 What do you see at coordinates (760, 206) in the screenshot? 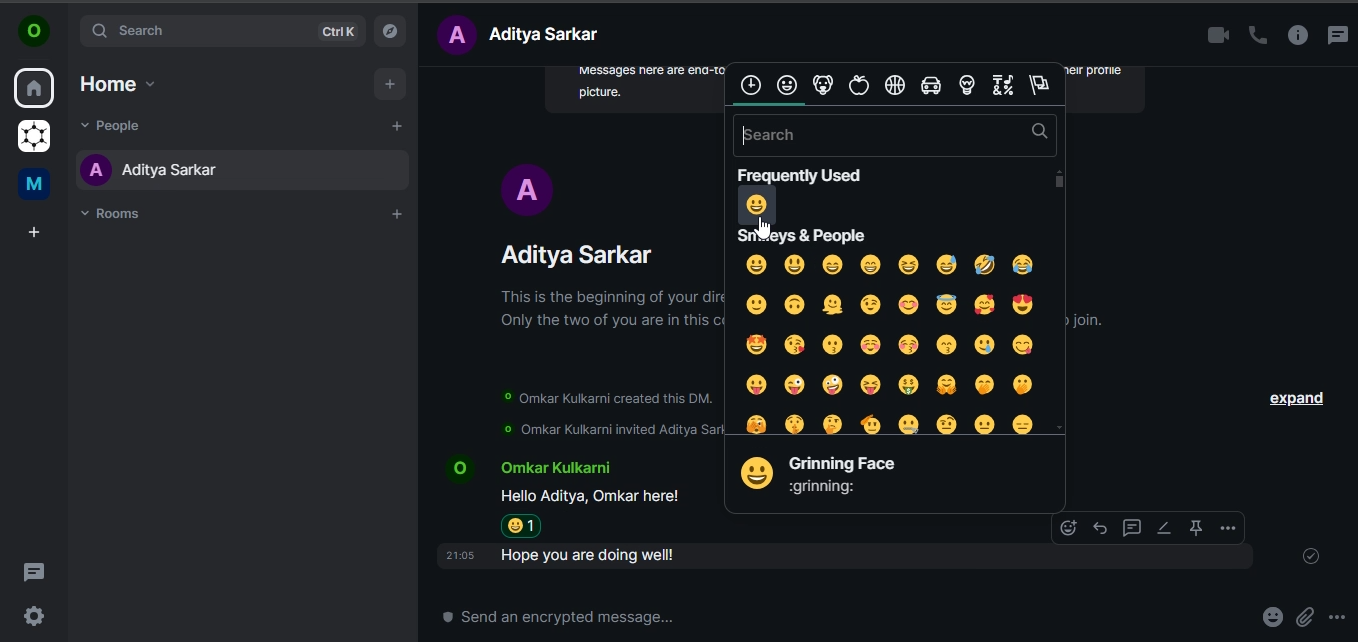
I see `grinning face` at bounding box center [760, 206].